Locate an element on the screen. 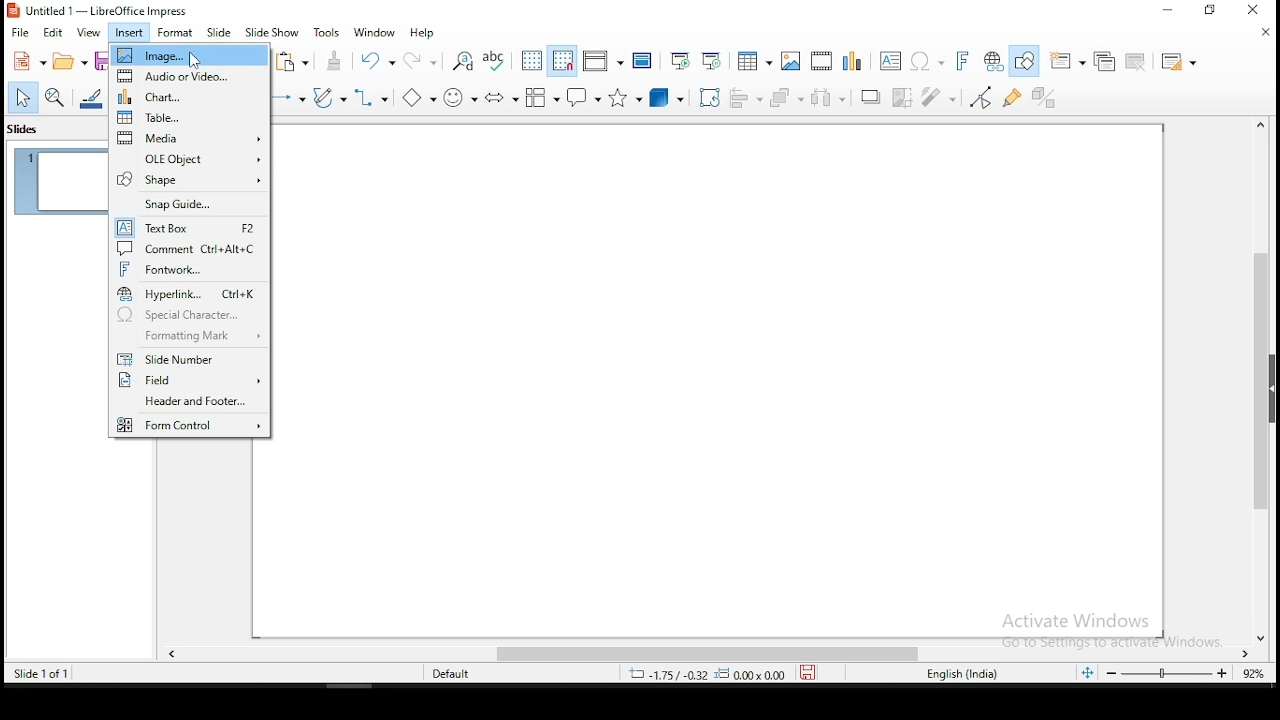  field is located at coordinates (188, 380).